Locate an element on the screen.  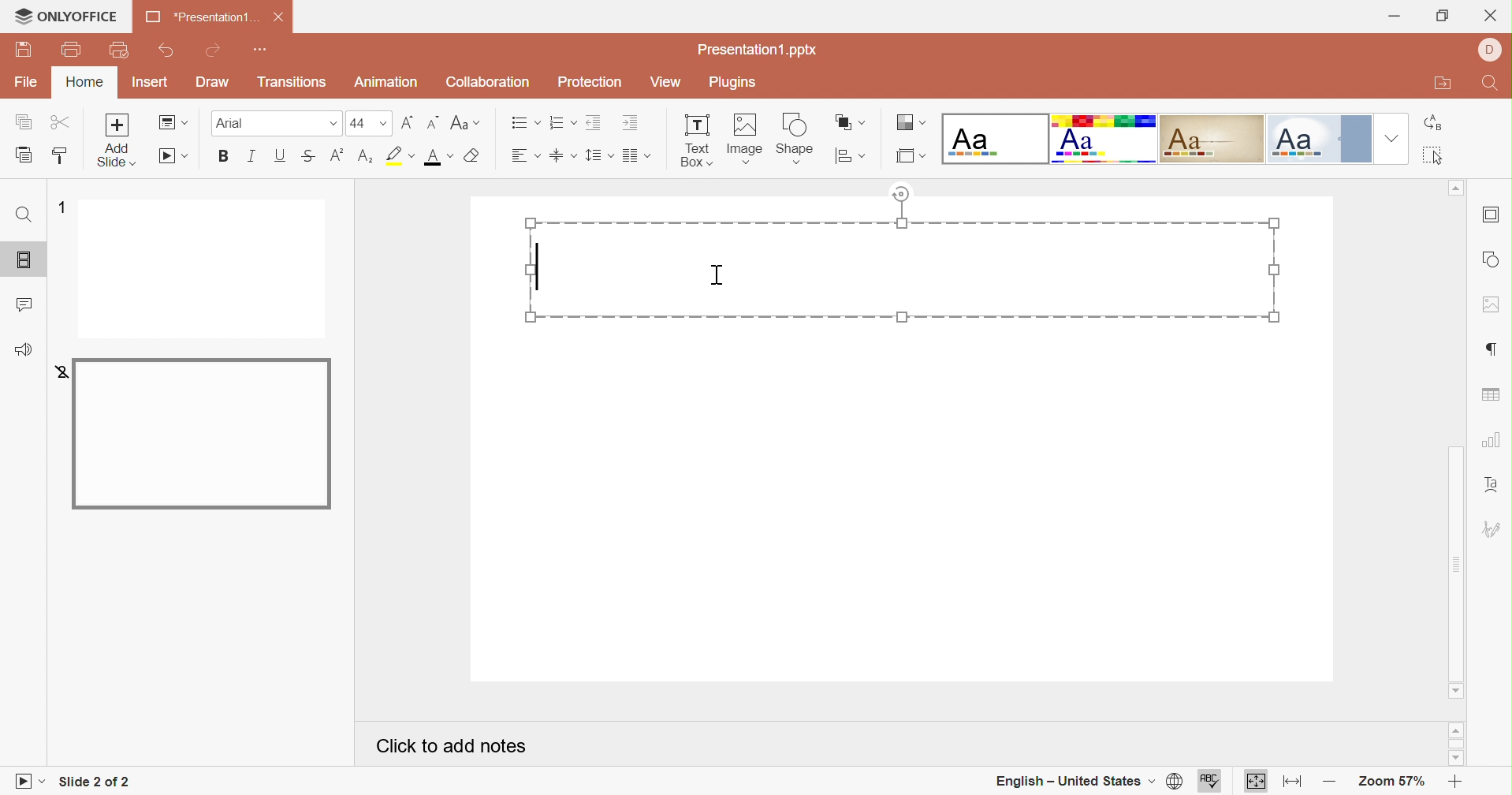
Increment font size is located at coordinates (408, 122).